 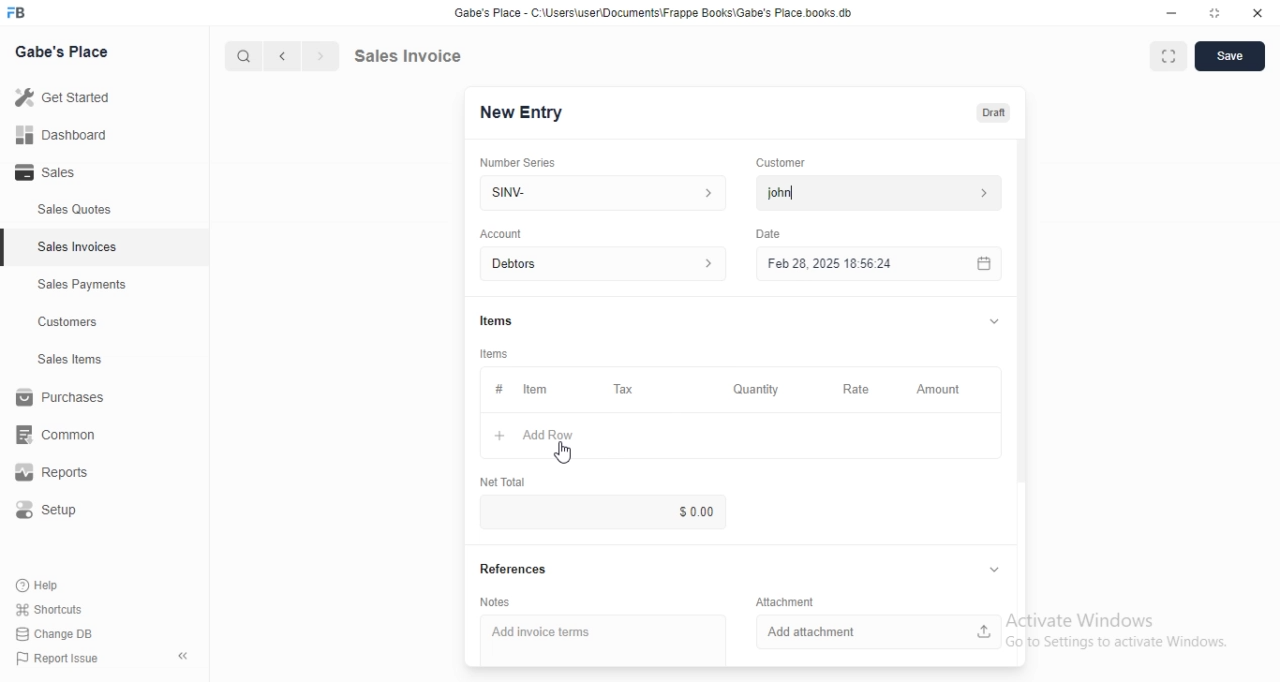 I want to click on cursor, so click(x=564, y=454).